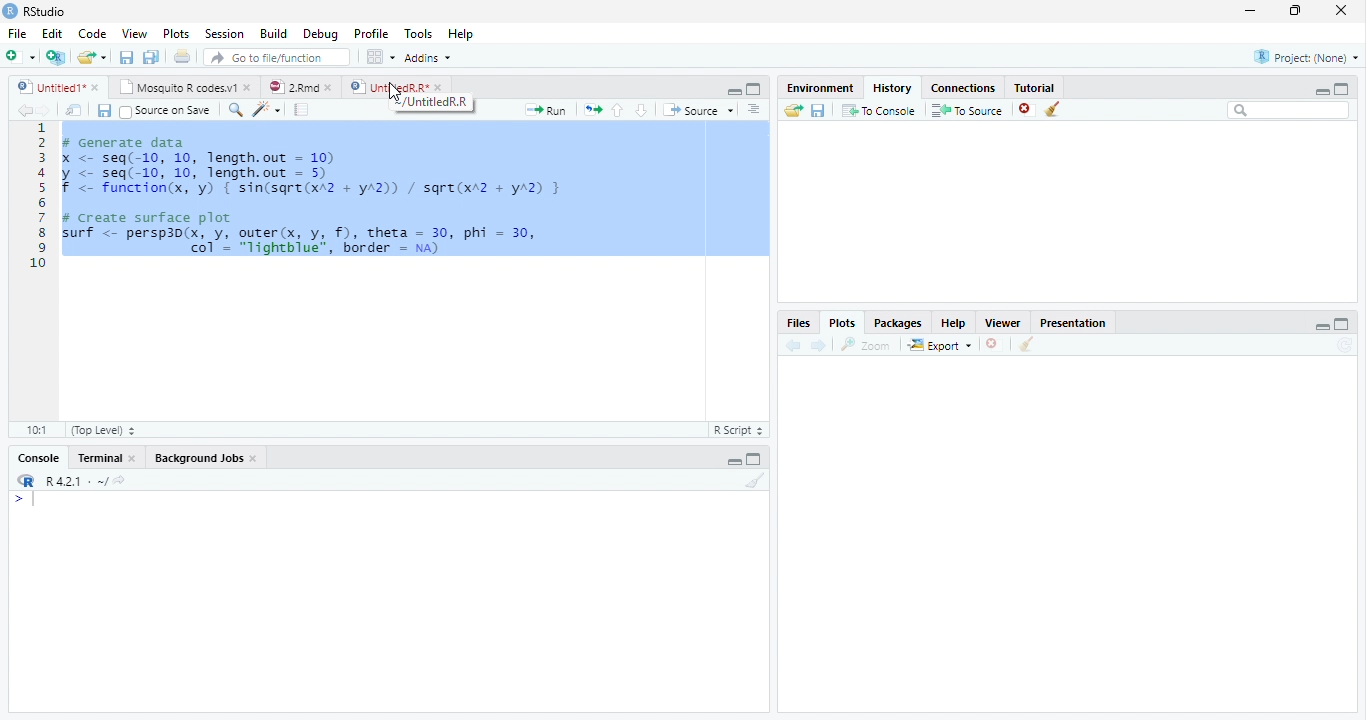 The image size is (1366, 720). What do you see at coordinates (175, 33) in the screenshot?
I see `Plots` at bounding box center [175, 33].